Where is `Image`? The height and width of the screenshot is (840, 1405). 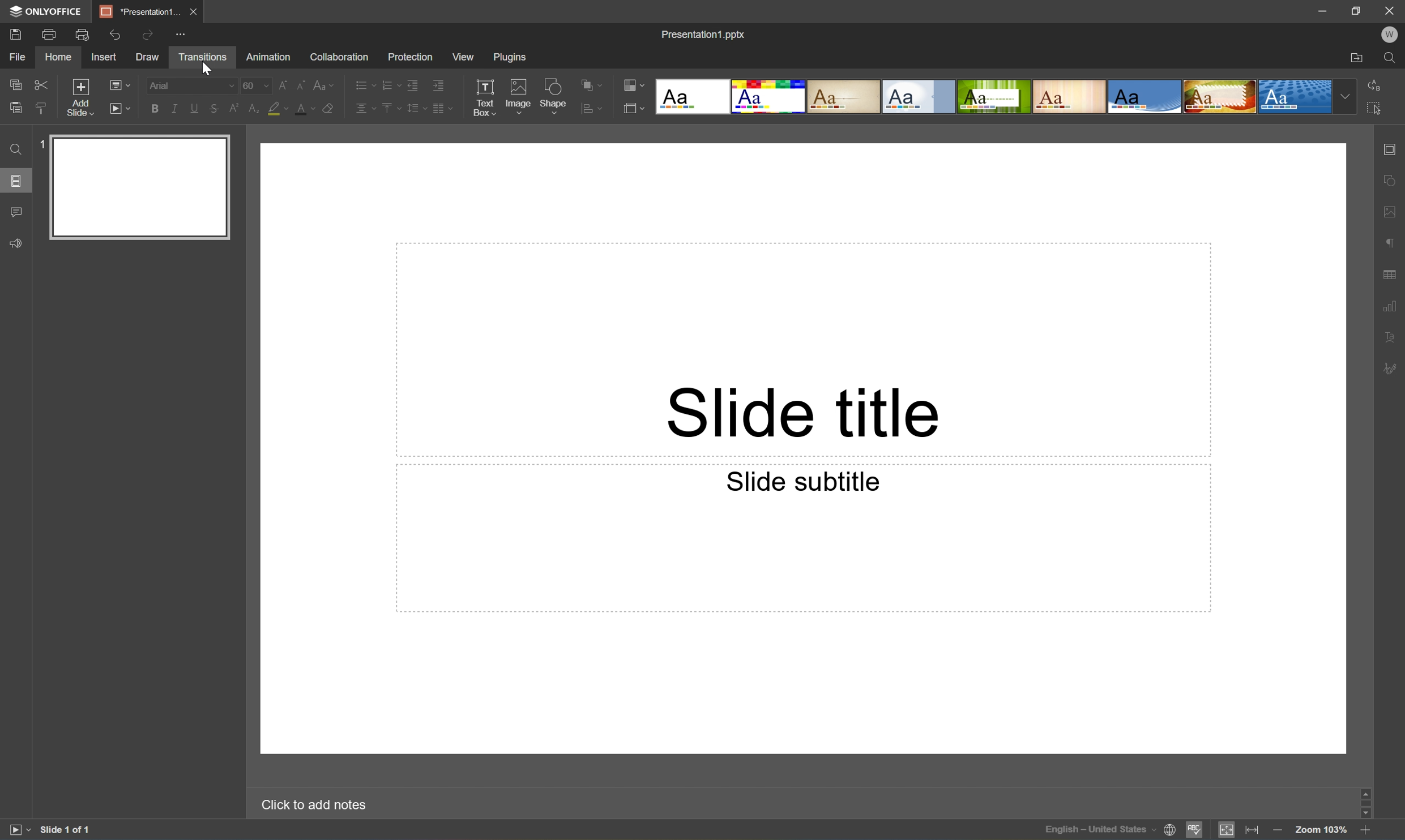 Image is located at coordinates (521, 95).